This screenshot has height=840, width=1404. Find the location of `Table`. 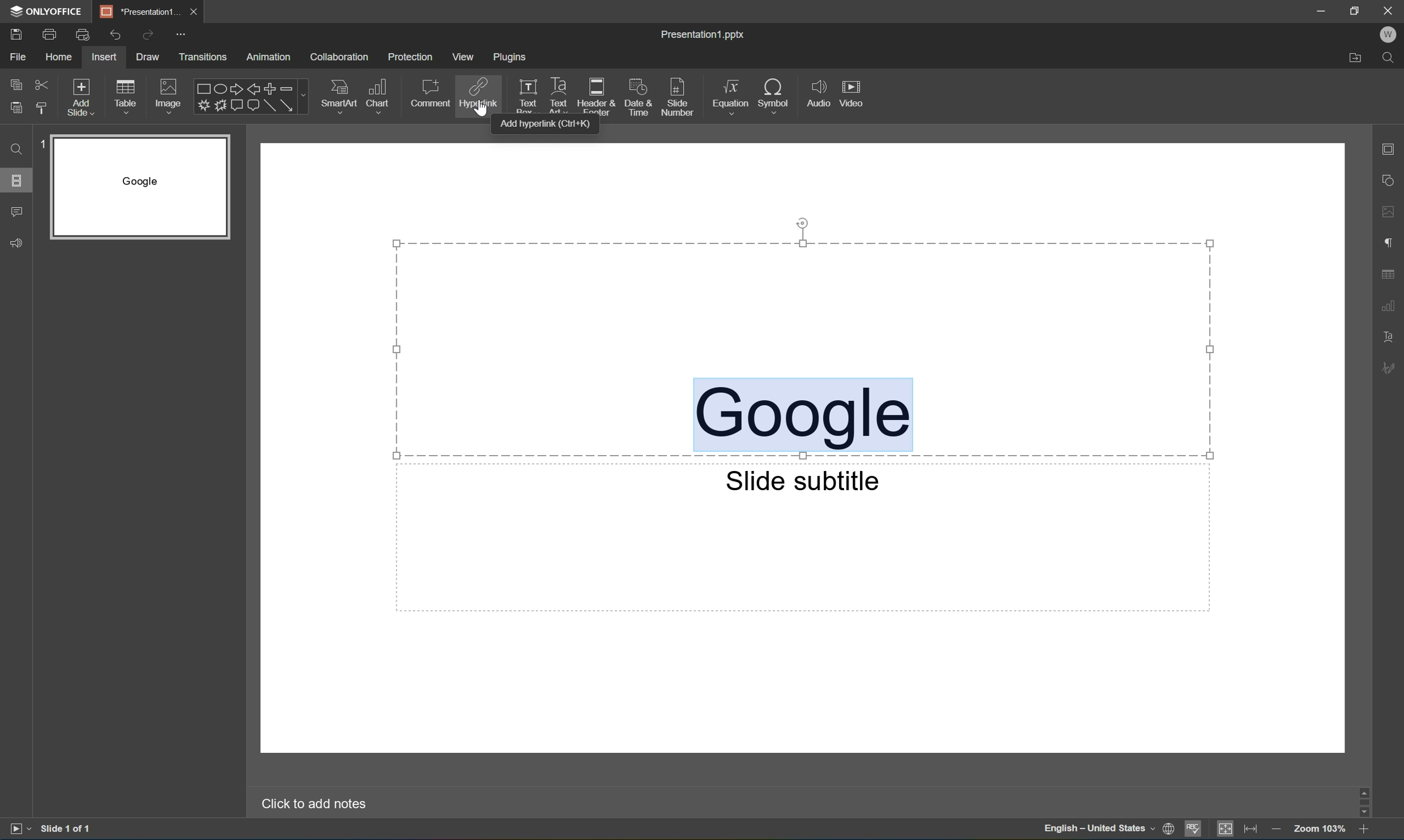

Table is located at coordinates (127, 98).